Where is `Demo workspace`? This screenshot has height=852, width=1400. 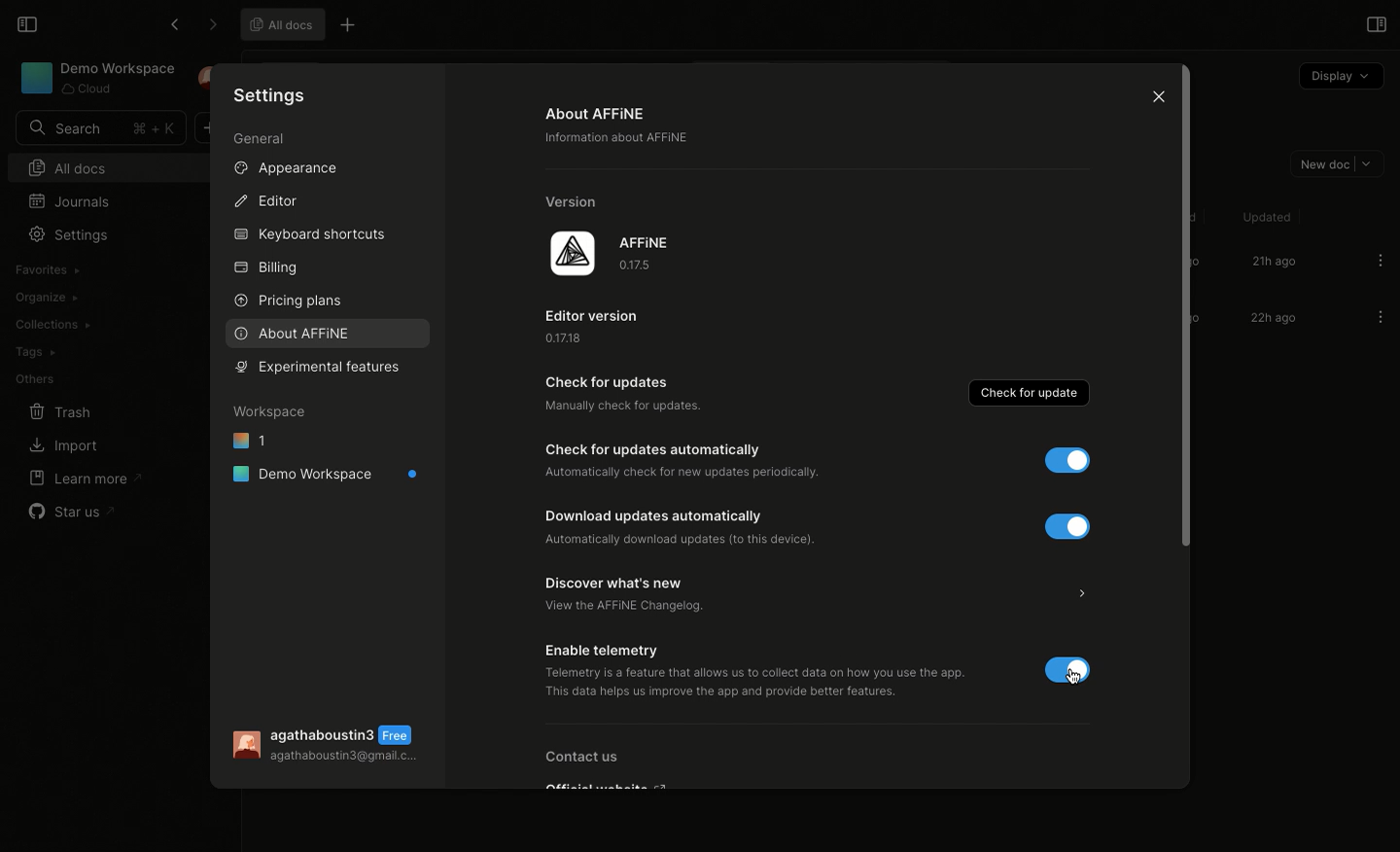 Demo workspace is located at coordinates (327, 474).